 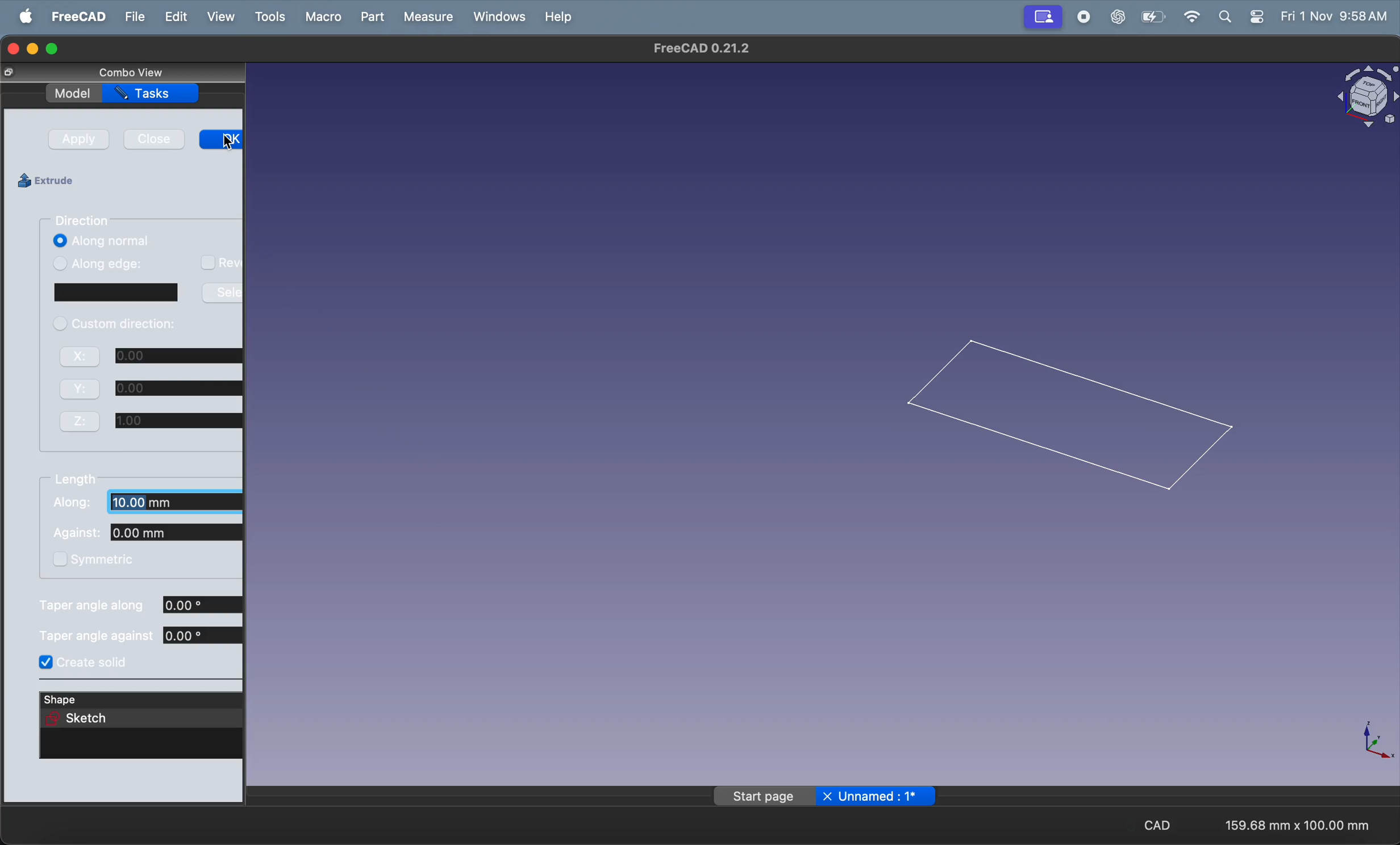 What do you see at coordinates (1192, 17) in the screenshot?
I see `wifi` at bounding box center [1192, 17].